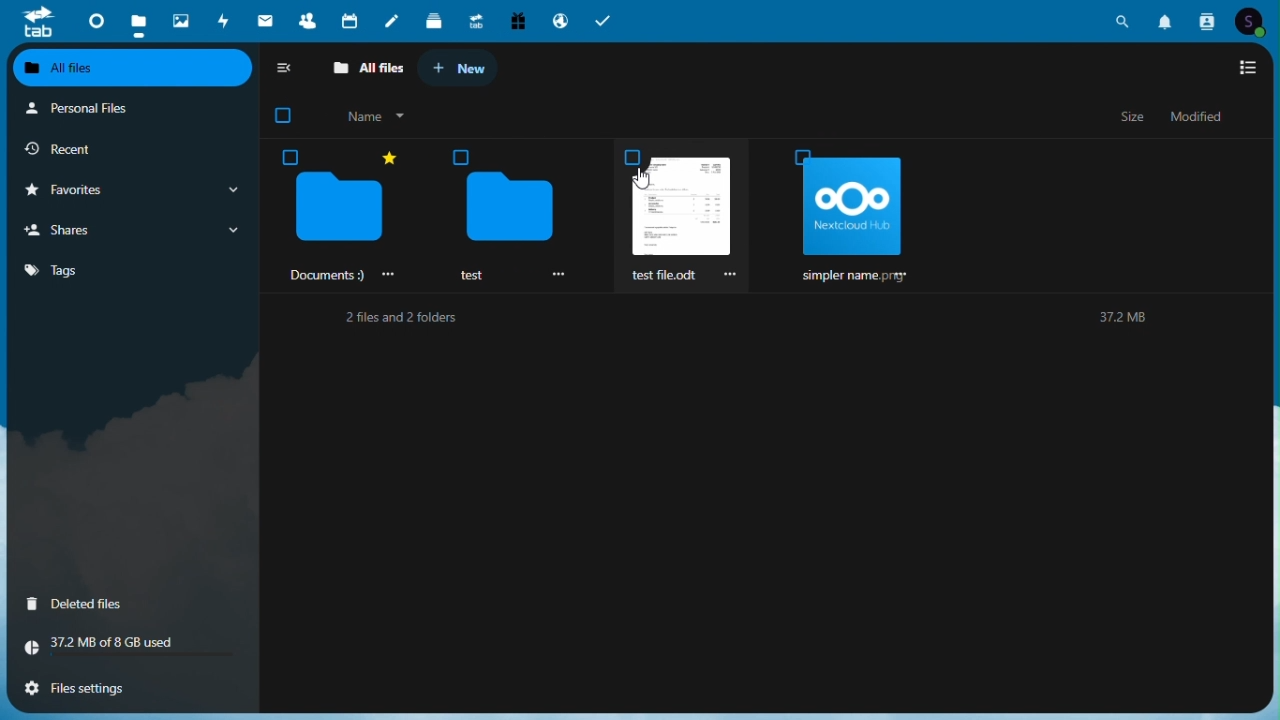 Image resolution: width=1280 pixels, height=720 pixels. What do you see at coordinates (1169, 19) in the screenshot?
I see `notifications` at bounding box center [1169, 19].